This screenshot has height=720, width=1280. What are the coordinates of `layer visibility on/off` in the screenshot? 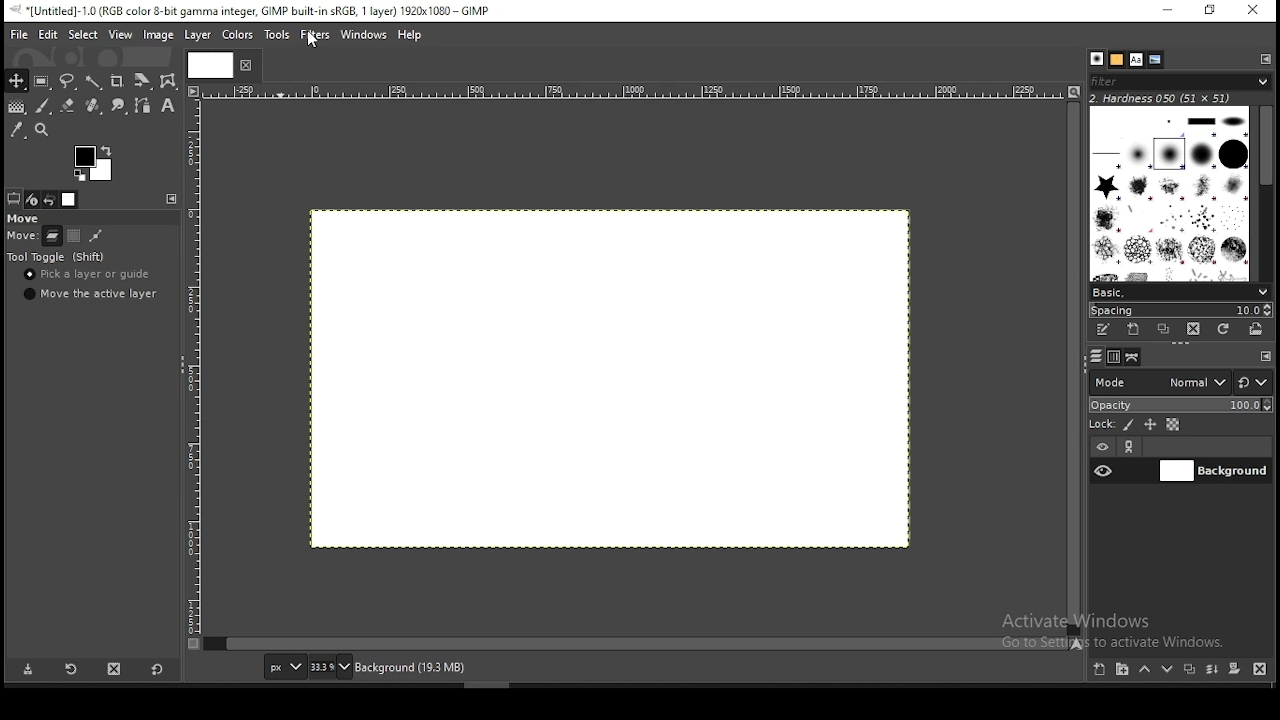 It's located at (1104, 470).